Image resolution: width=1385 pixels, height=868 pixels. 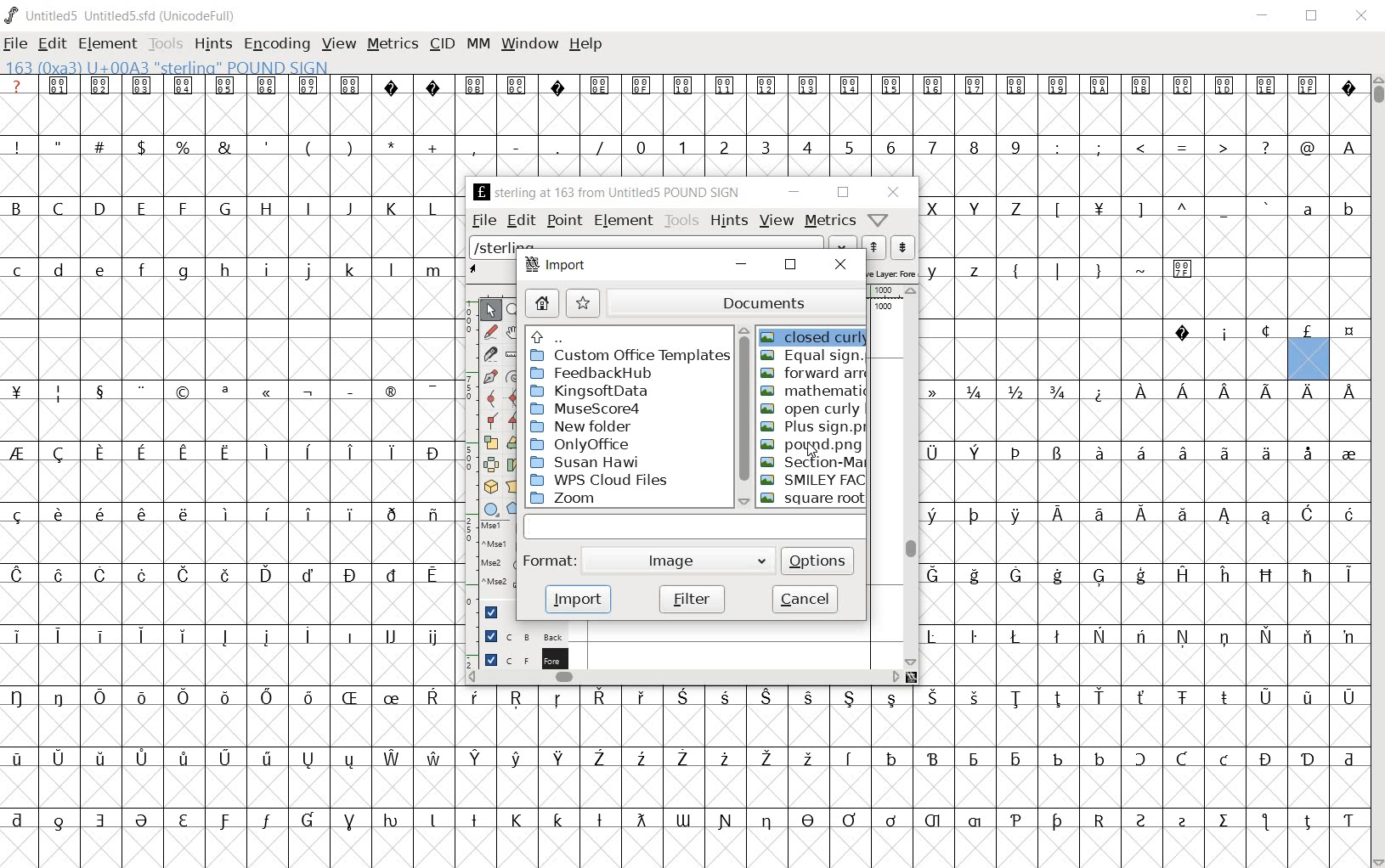 I want to click on Symbol, so click(x=350, y=759).